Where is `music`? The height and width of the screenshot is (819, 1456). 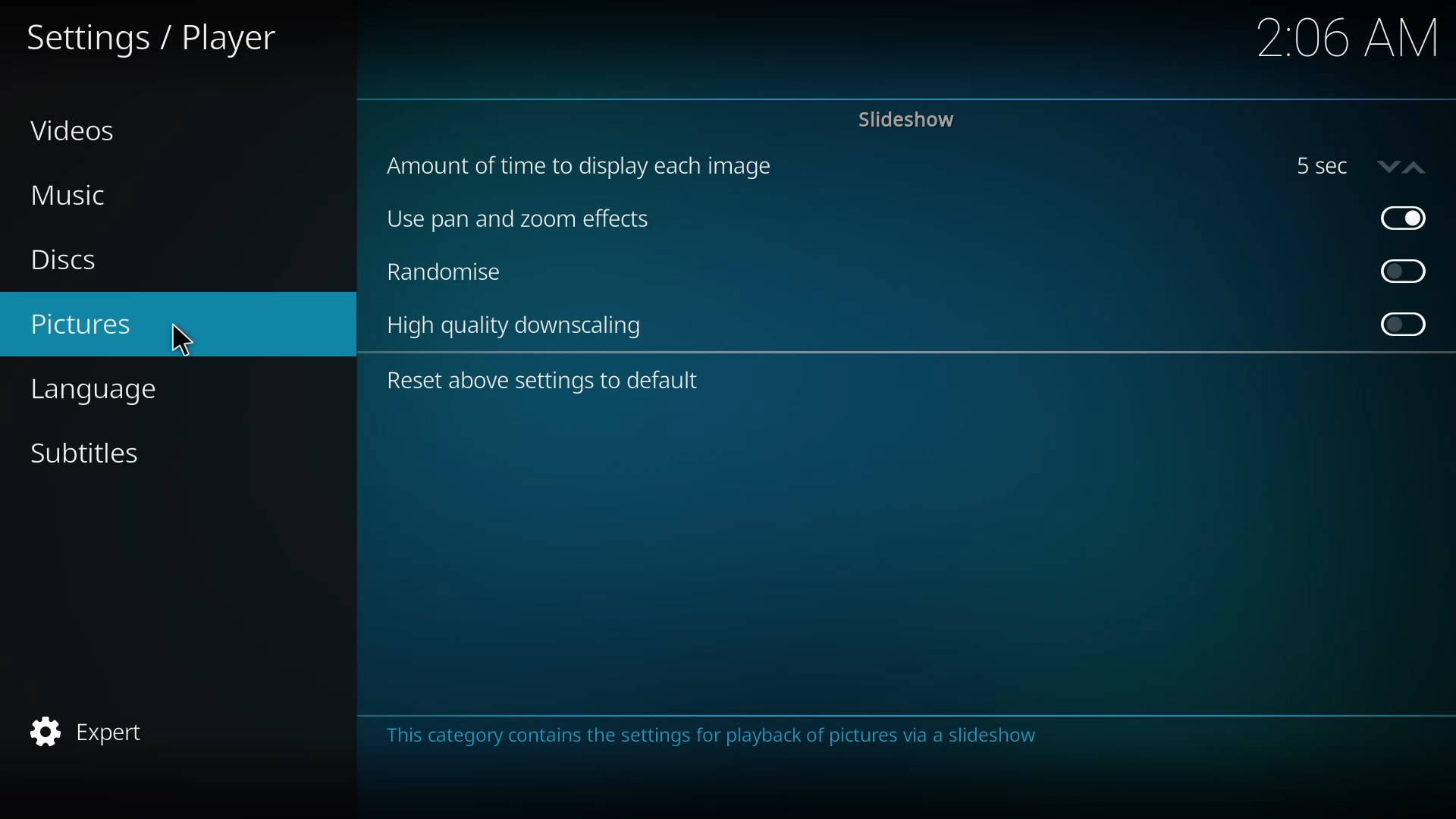
music is located at coordinates (70, 196).